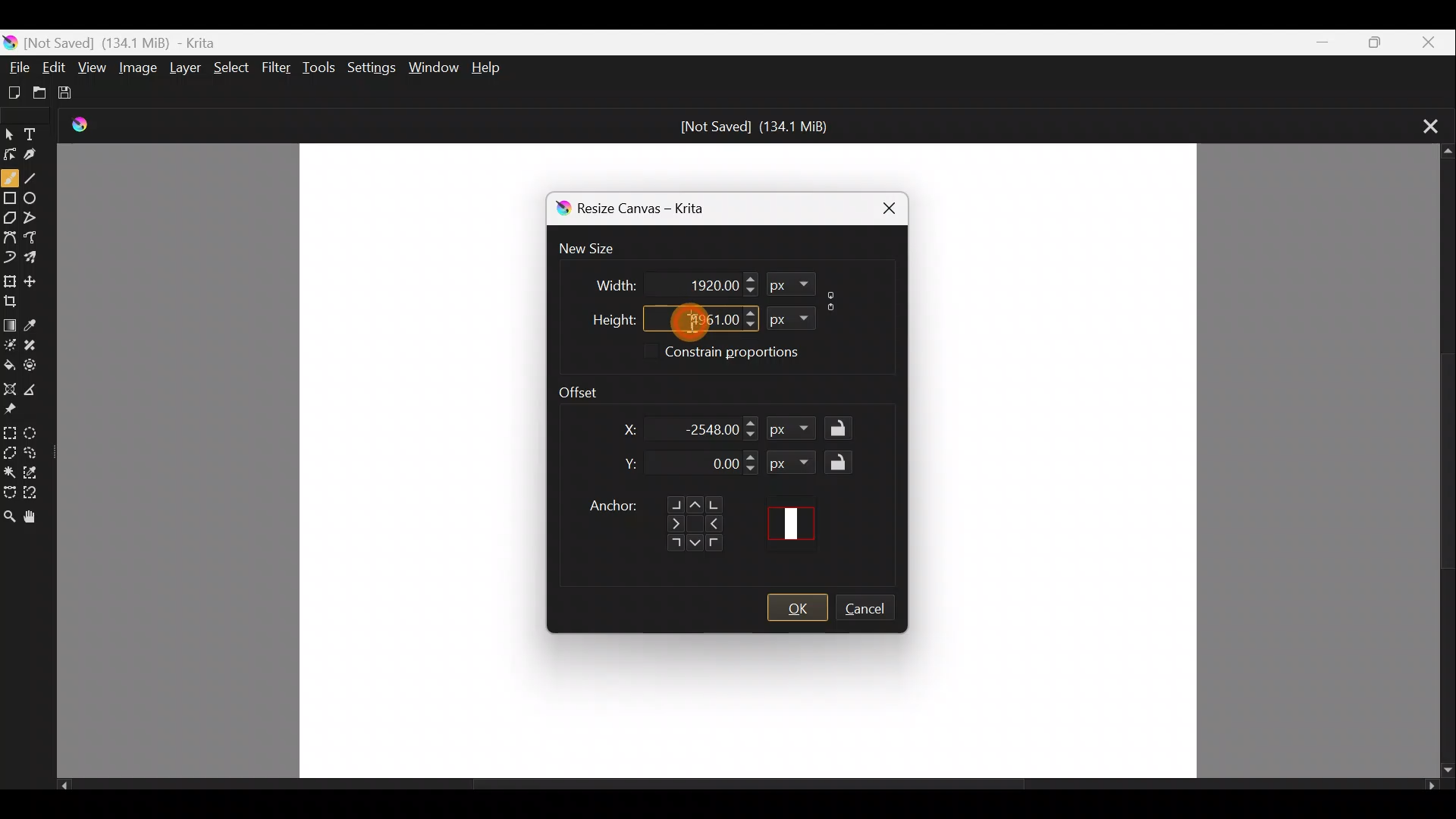 The width and height of the screenshot is (1456, 819). Describe the element at coordinates (36, 435) in the screenshot. I see `Elliptical selection tool` at that location.